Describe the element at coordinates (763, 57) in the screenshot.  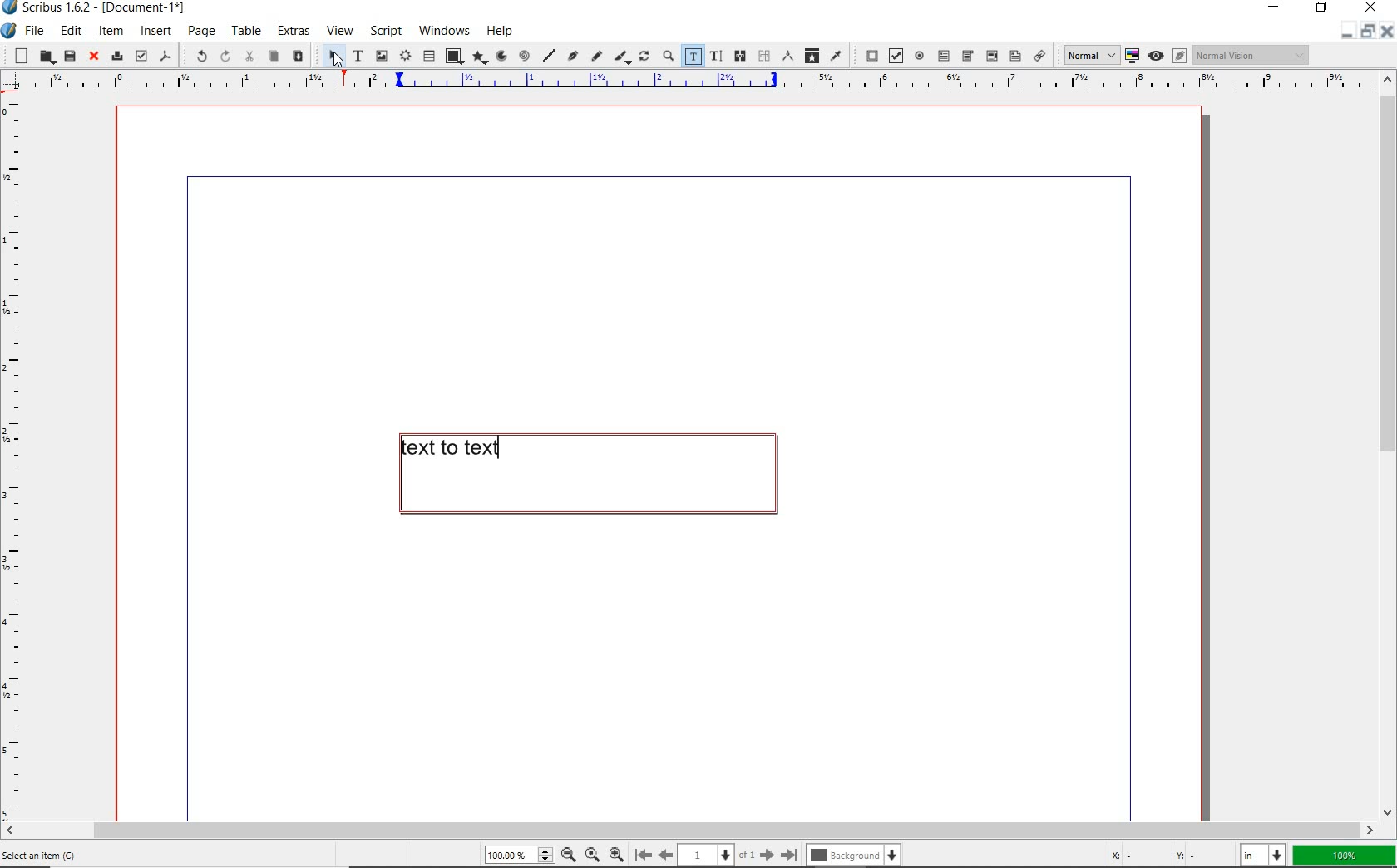
I see `unlink text frames` at that location.